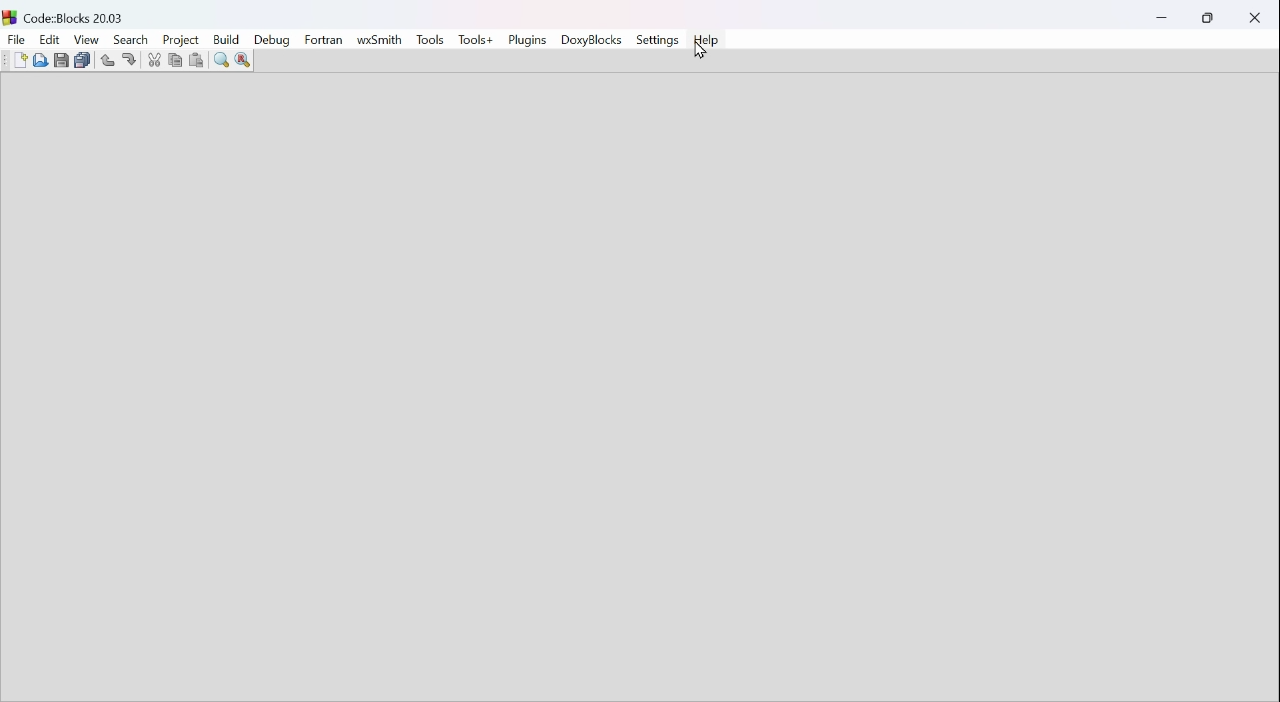 The image size is (1280, 702). What do you see at coordinates (179, 39) in the screenshot?
I see `Project` at bounding box center [179, 39].